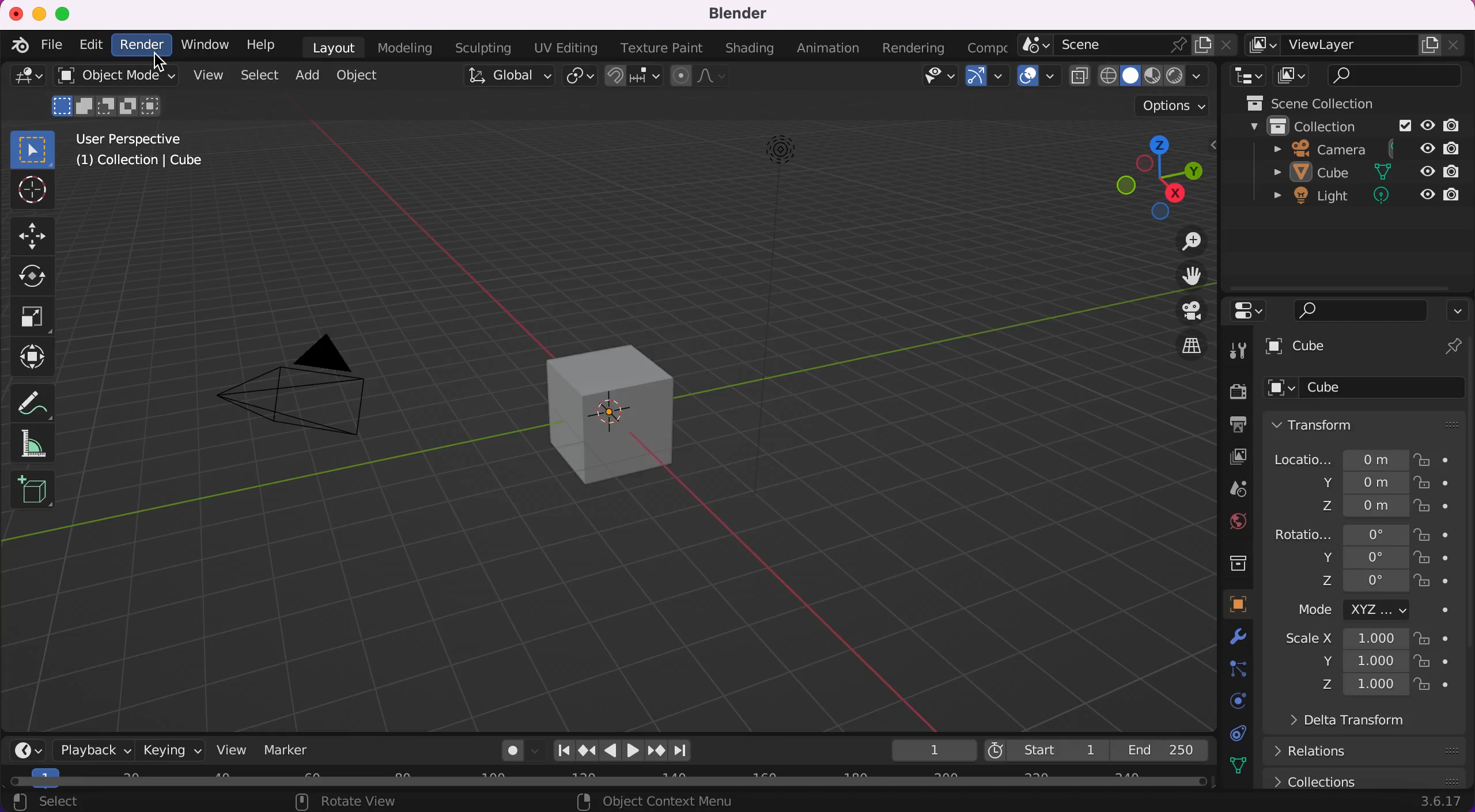 This screenshot has width=1475, height=812. What do you see at coordinates (1436, 582) in the screenshot?
I see `lock` at bounding box center [1436, 582].